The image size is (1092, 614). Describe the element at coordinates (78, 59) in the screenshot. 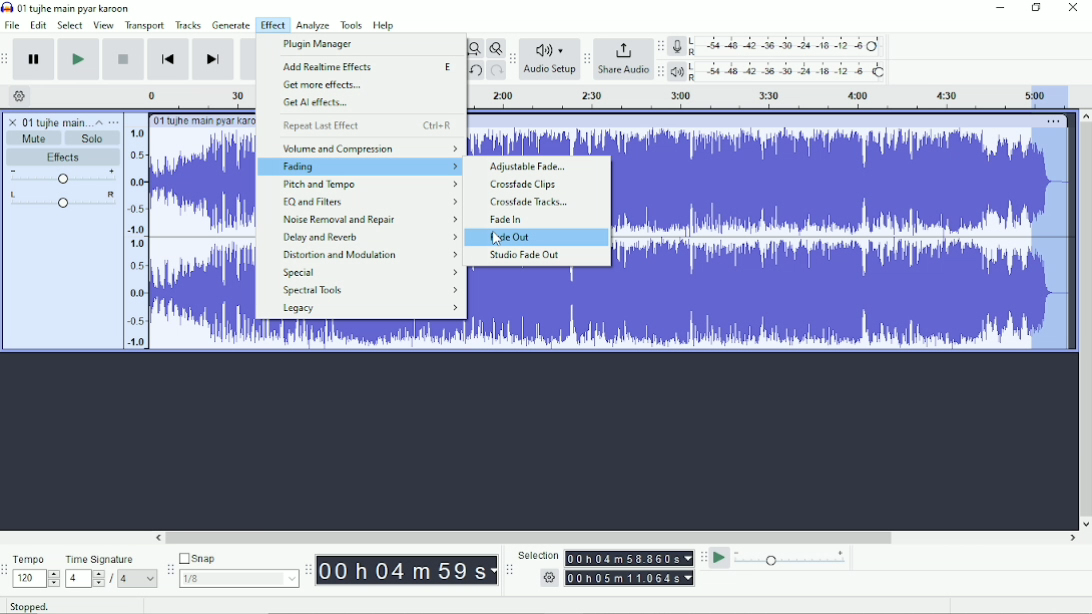

I see `Play` at that location.